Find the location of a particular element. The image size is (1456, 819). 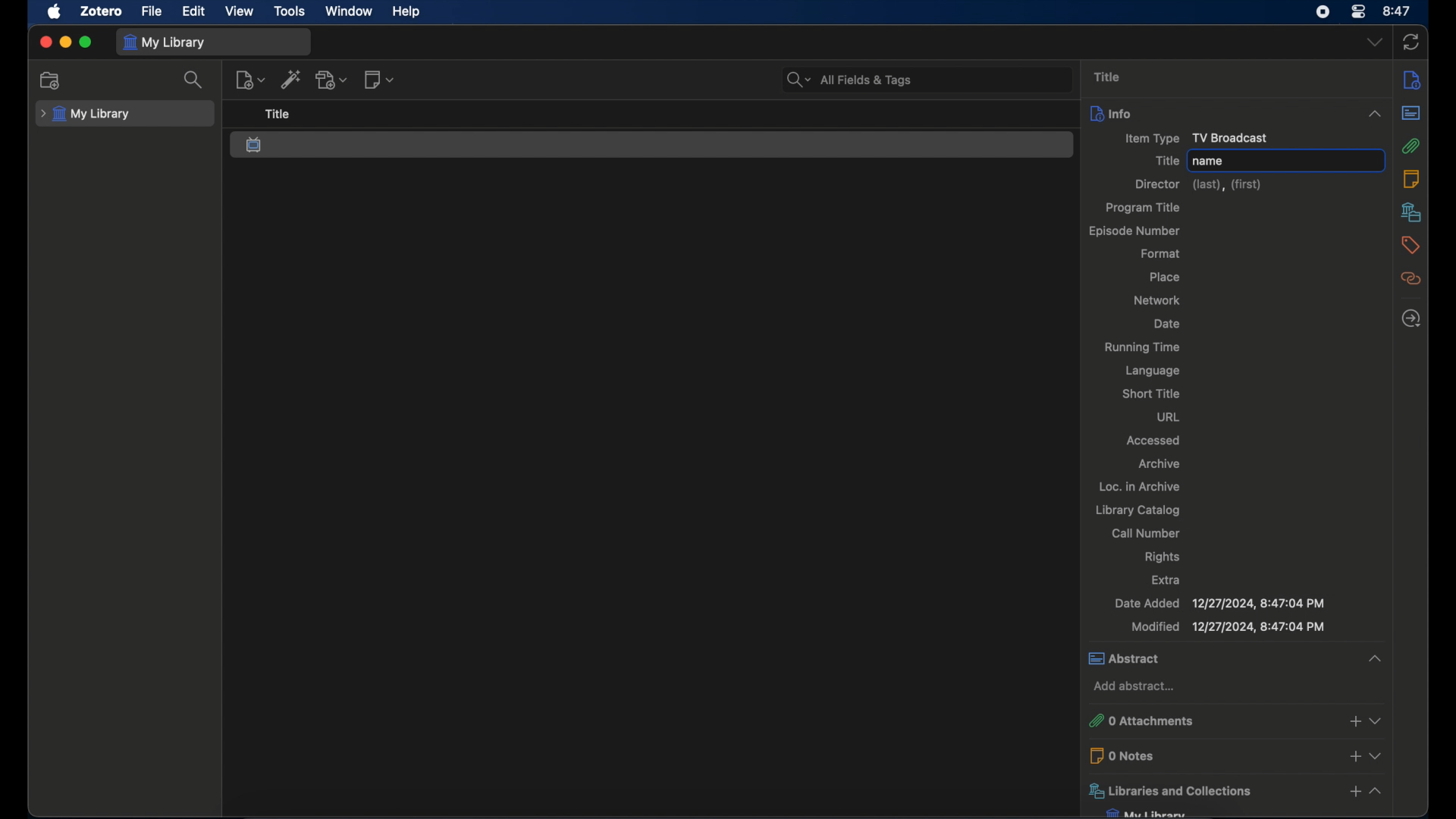

8.46 is located at coordinates (1398, 11).